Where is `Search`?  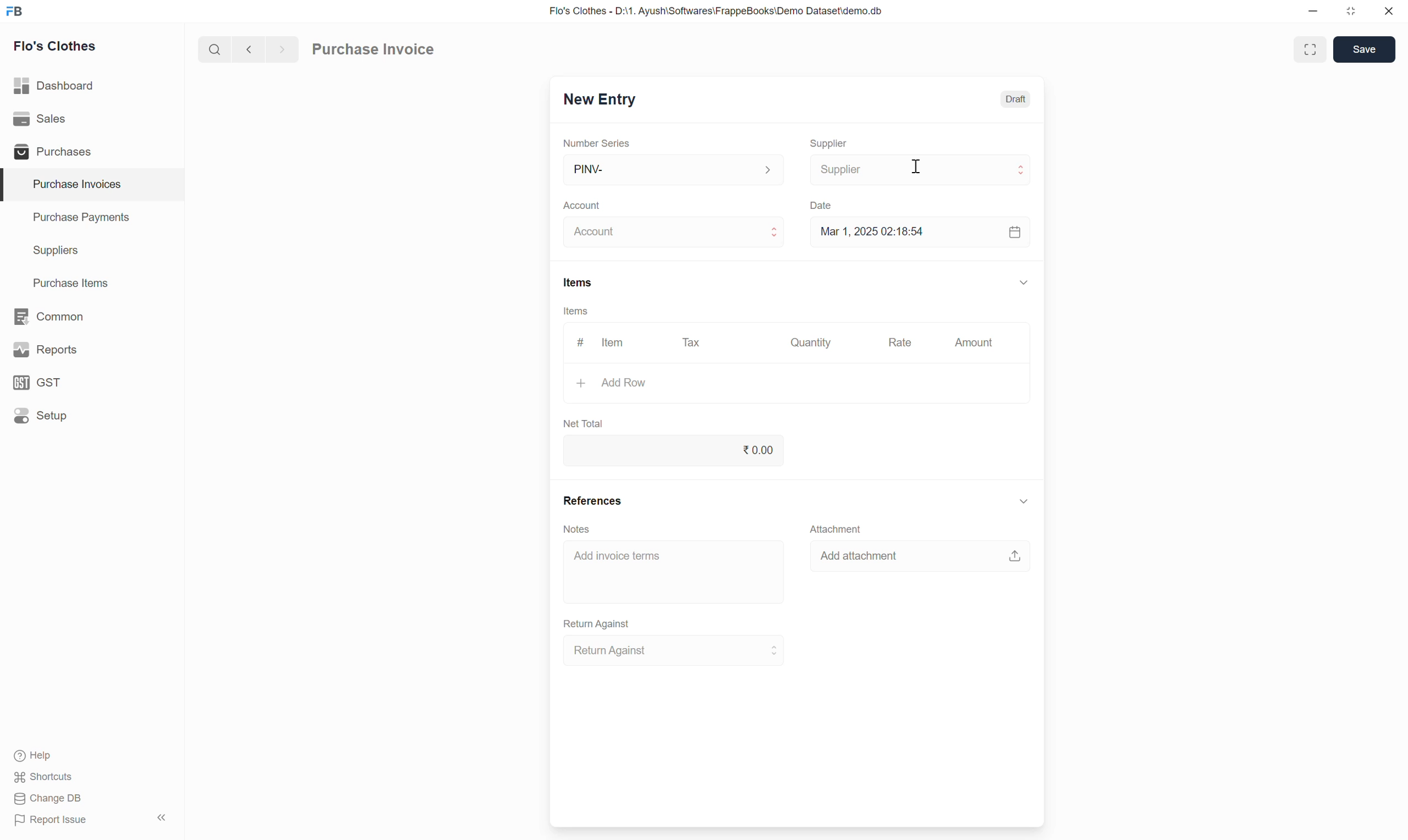
Search is located at coordinates (215, 49).